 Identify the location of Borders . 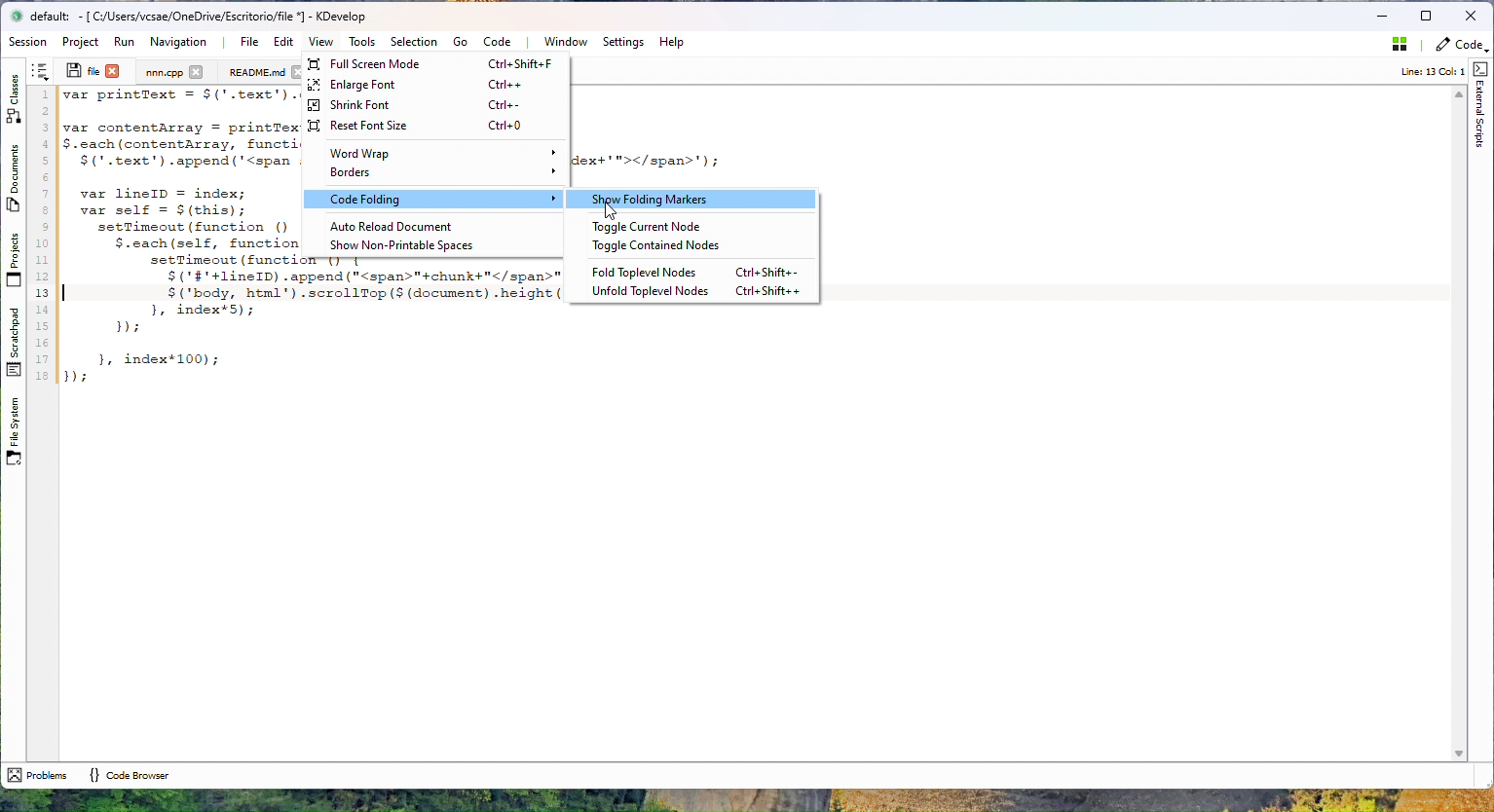
(434, 174).